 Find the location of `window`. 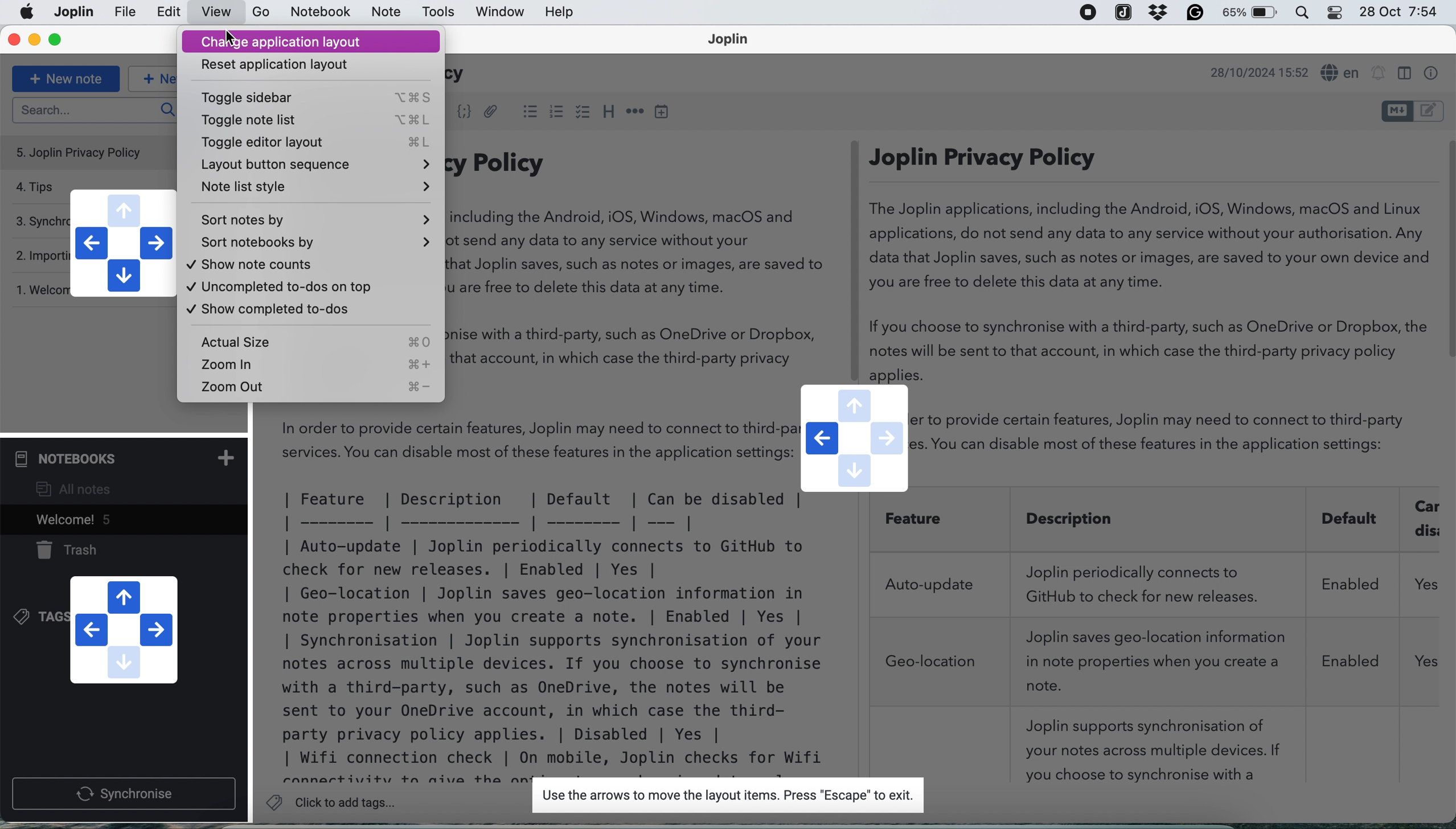

window is located at coordinates (497, 13).